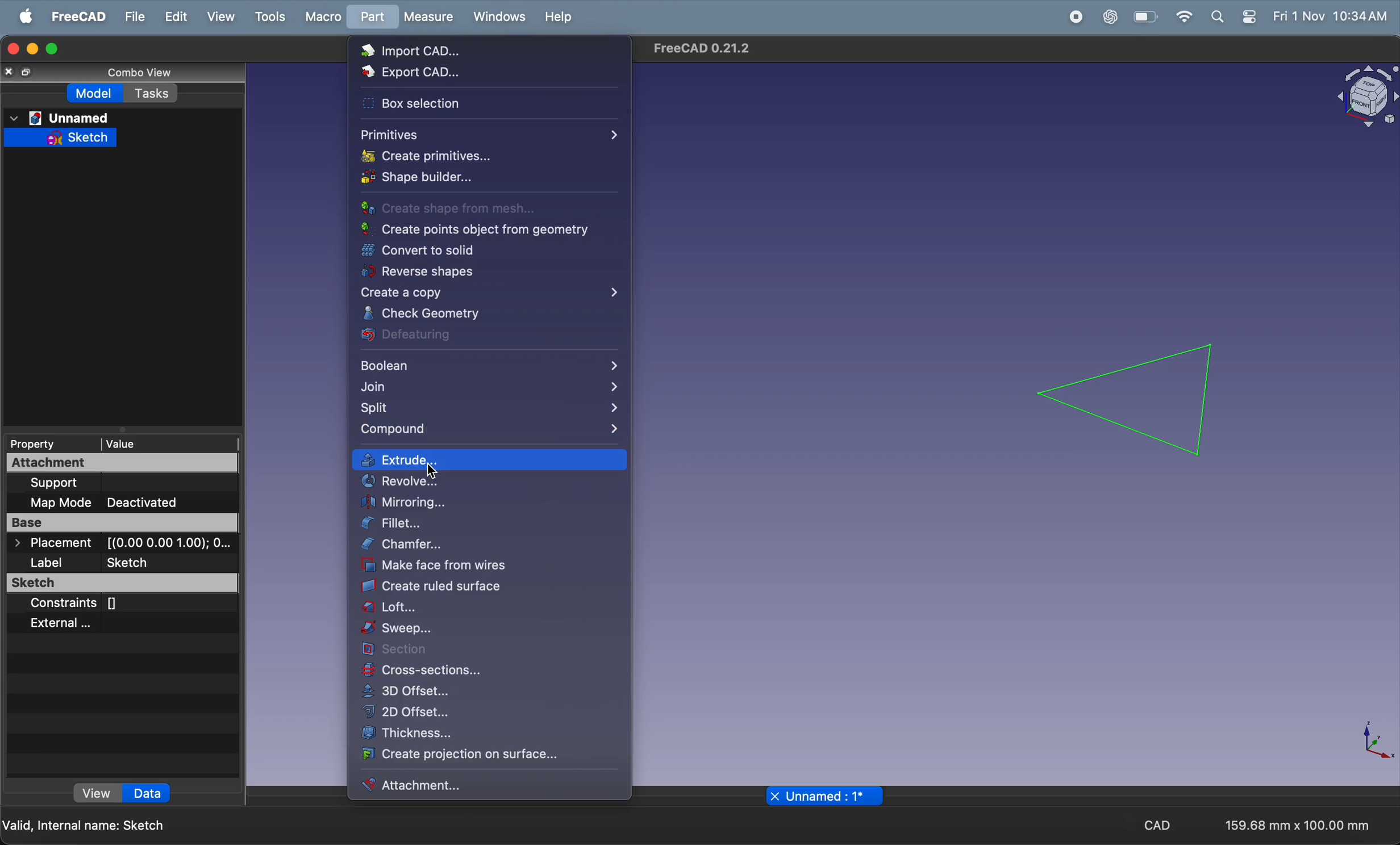 This screenshot has width=1400, height=845. Describe the element at coordinates (487, 711) in the screenshot. I see `2d offset` at that location.